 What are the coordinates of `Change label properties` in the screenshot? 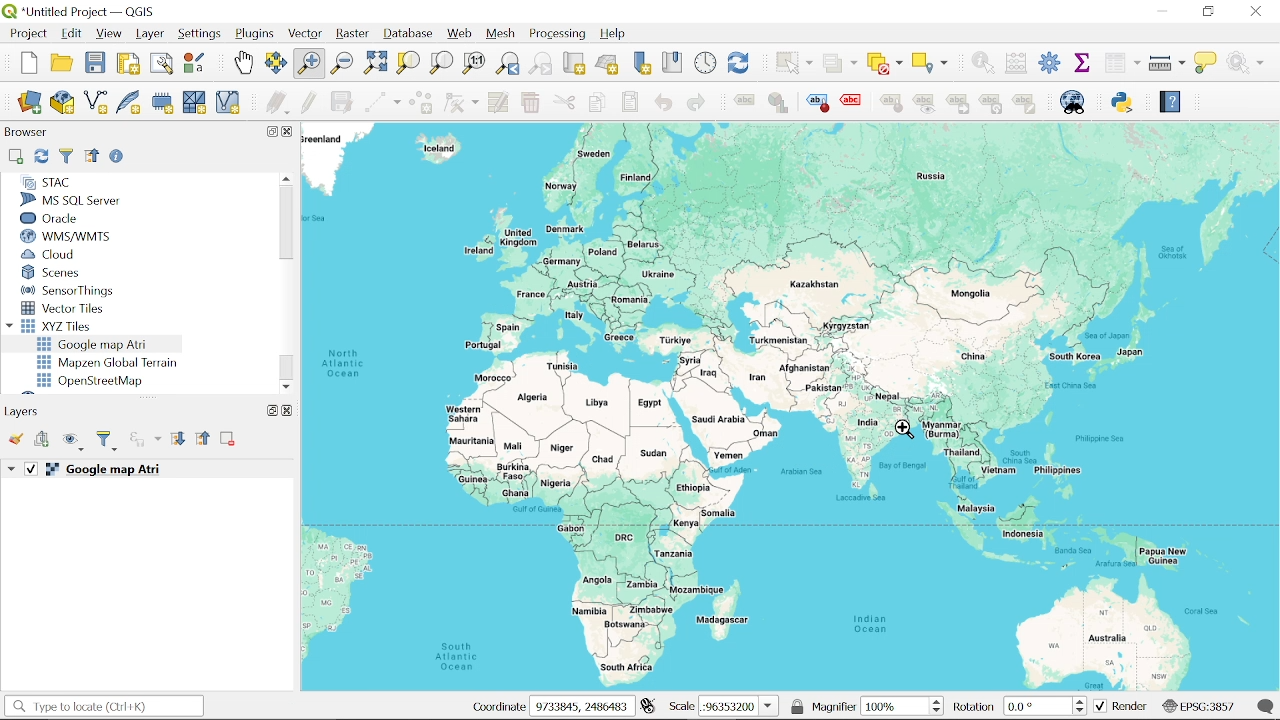 It's located at (1025, 105).